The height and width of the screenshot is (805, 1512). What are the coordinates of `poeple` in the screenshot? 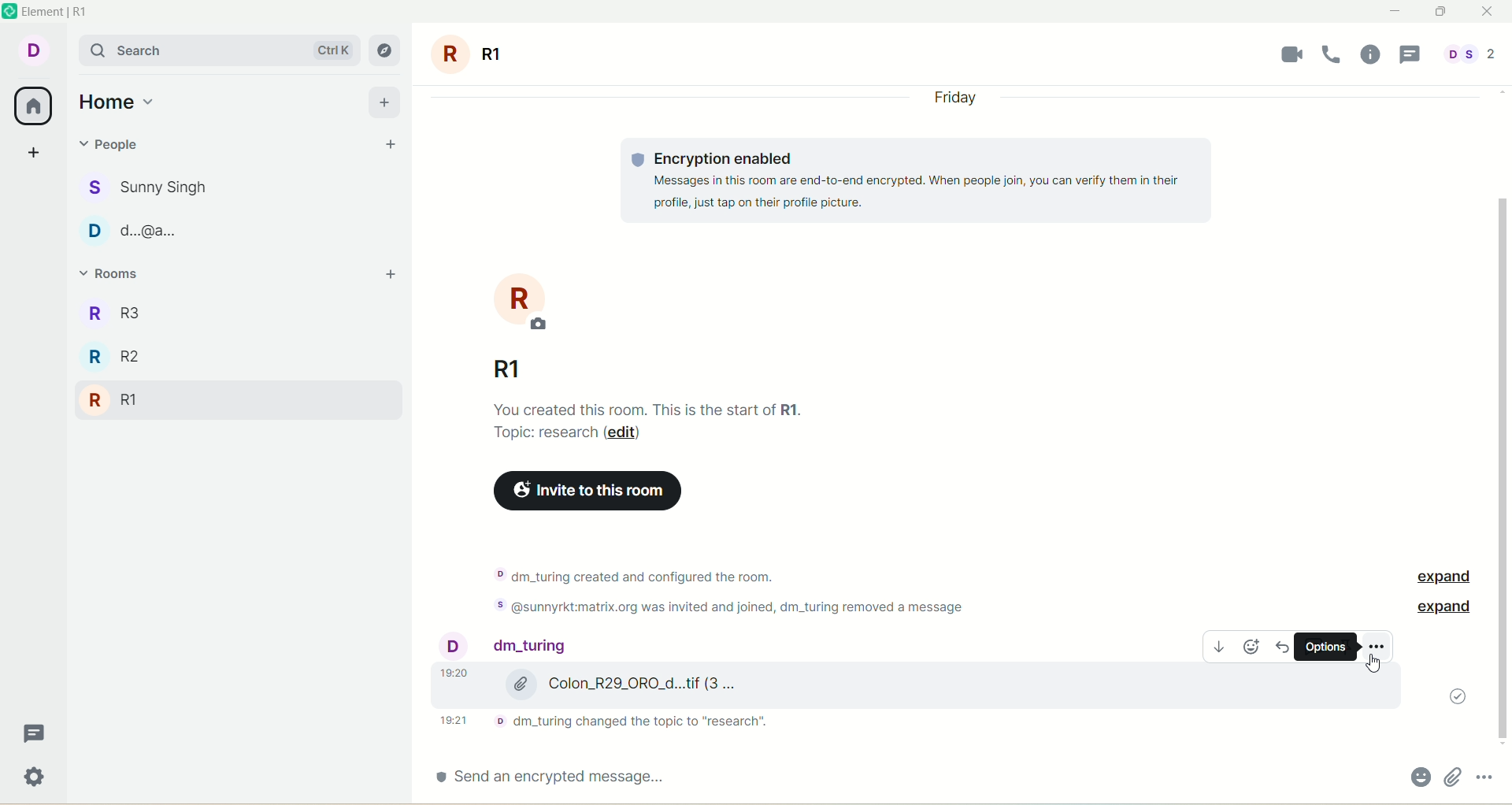 It's located at (146, 234).